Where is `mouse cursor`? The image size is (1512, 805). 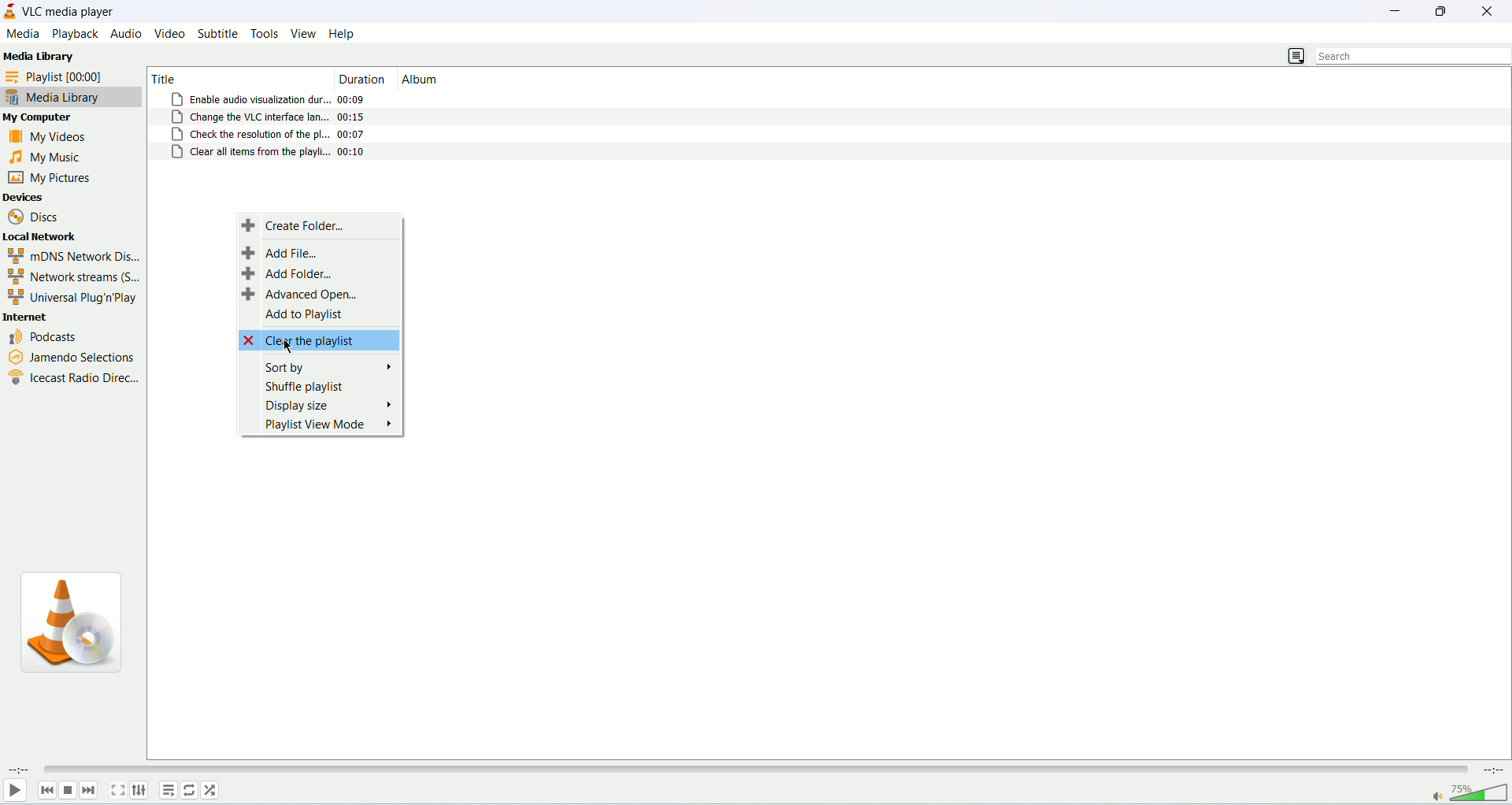
mouse cursor is located at coordinates (289, 347).